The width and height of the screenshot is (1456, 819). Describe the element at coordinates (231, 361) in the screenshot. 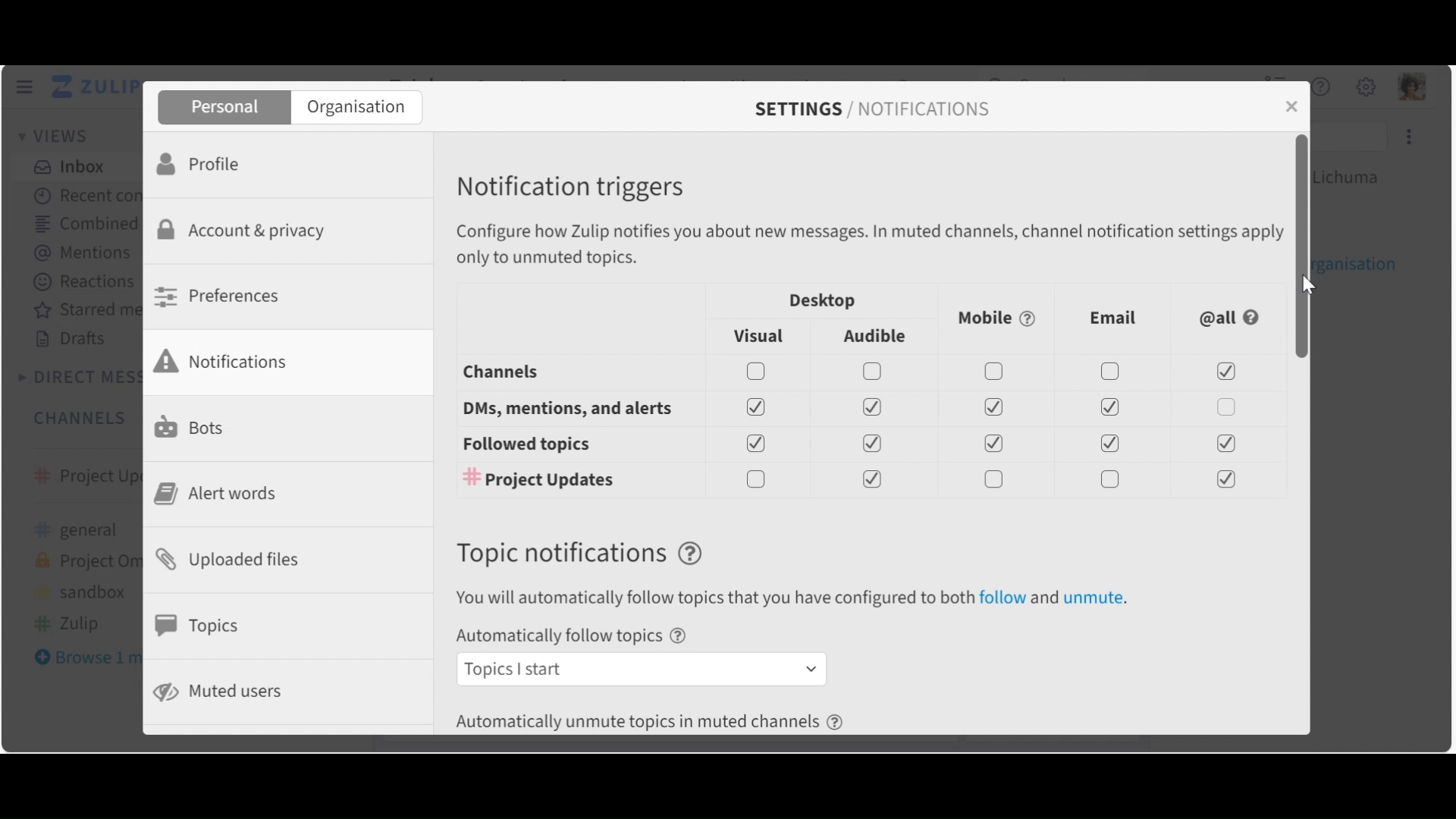

I see `Notifications` at that location.